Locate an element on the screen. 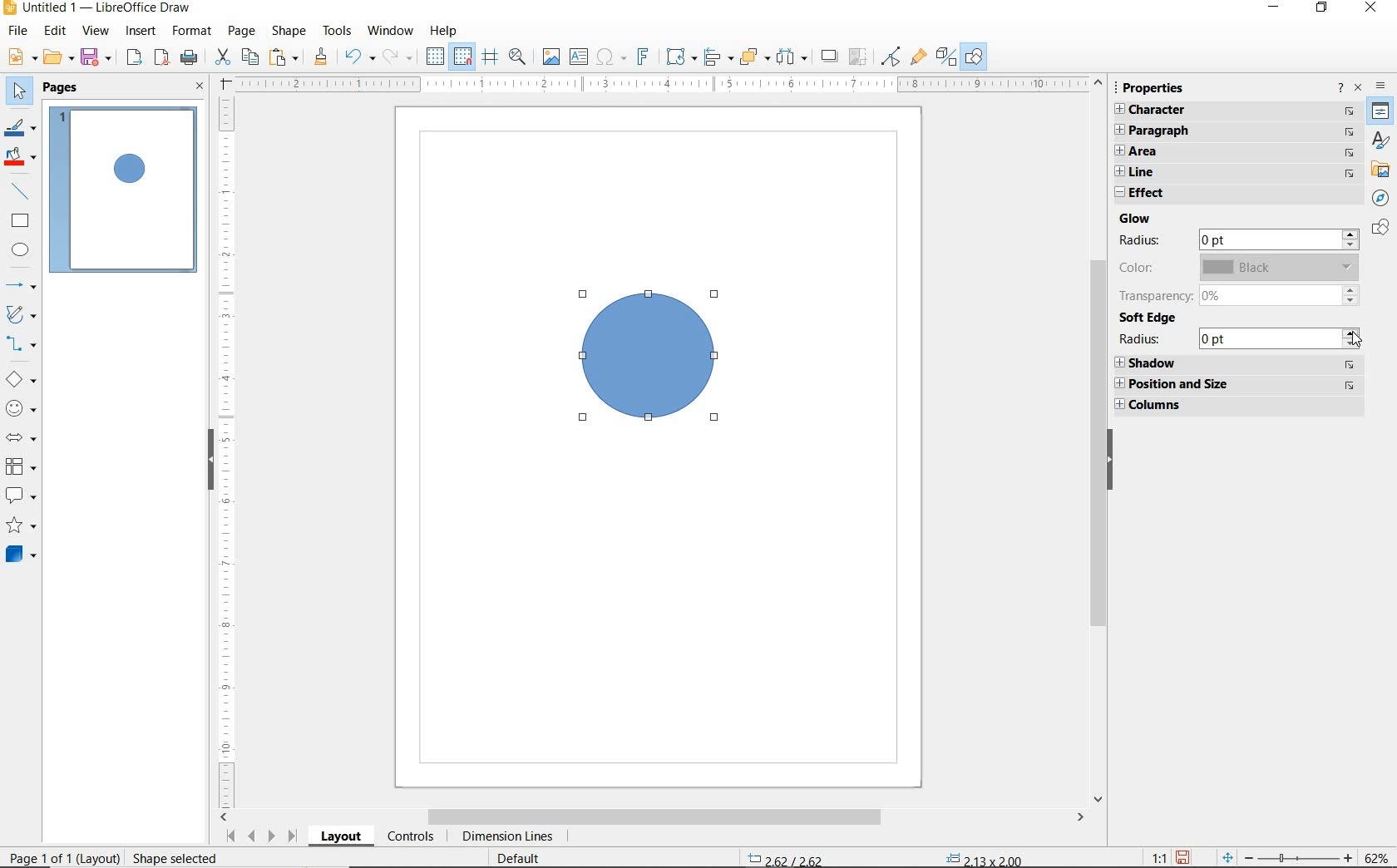 This screenshot has width=1397, height=868. EXORT is located at coordinates (134, 57).